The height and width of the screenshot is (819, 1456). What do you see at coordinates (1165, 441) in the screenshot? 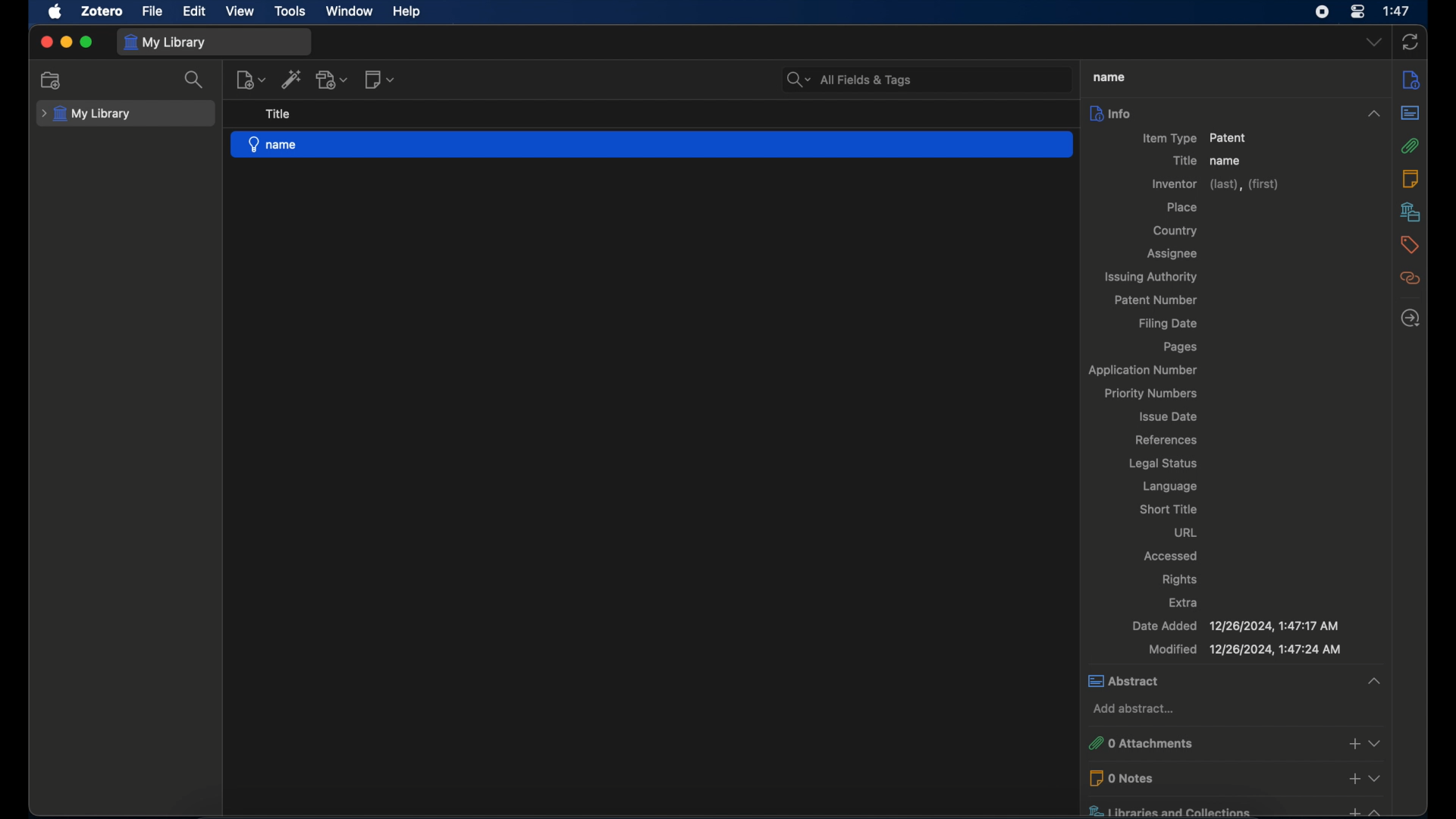
I see `references` at bounding box center [1165, 441].